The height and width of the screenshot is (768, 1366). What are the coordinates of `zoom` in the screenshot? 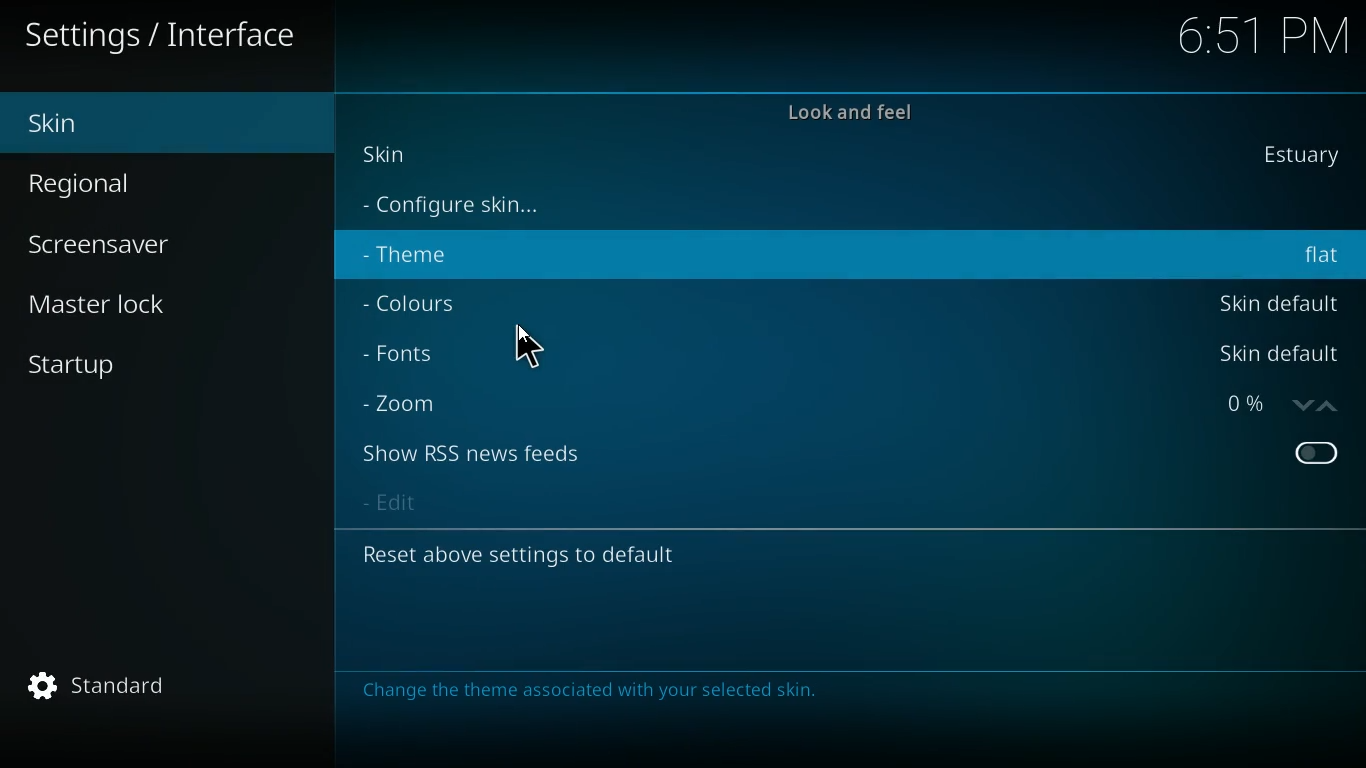 It's located at (409, 400).